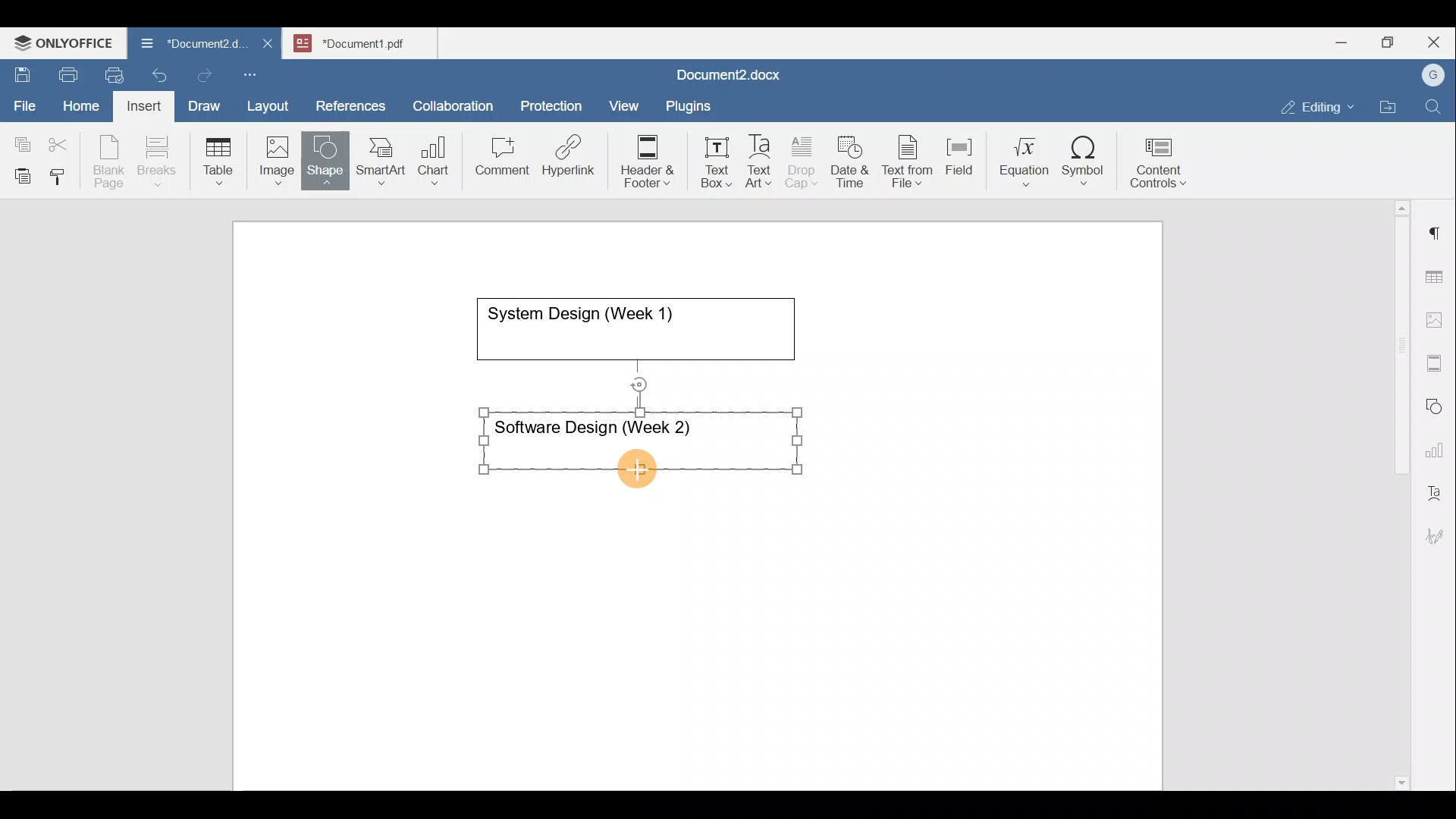 Image resolution: width=1456 pixels, height=819 pixels. What do you see at coordinates (271, 103) in the screenshot?
I see `Layout` at bounding box center [271, 103].